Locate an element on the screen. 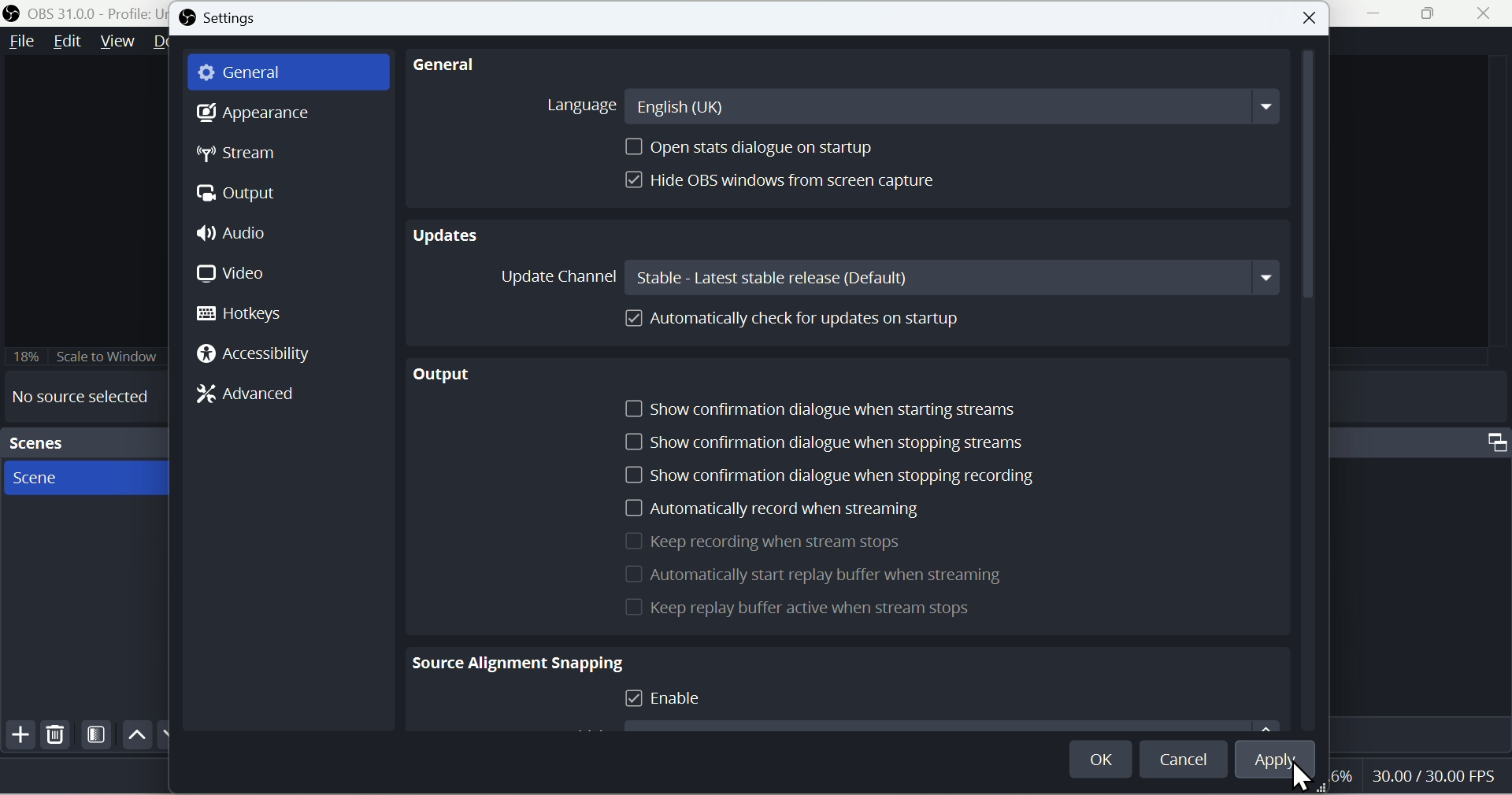 This screenshot has height=795, width=1512. 18% is located at coordinates (25, 356).